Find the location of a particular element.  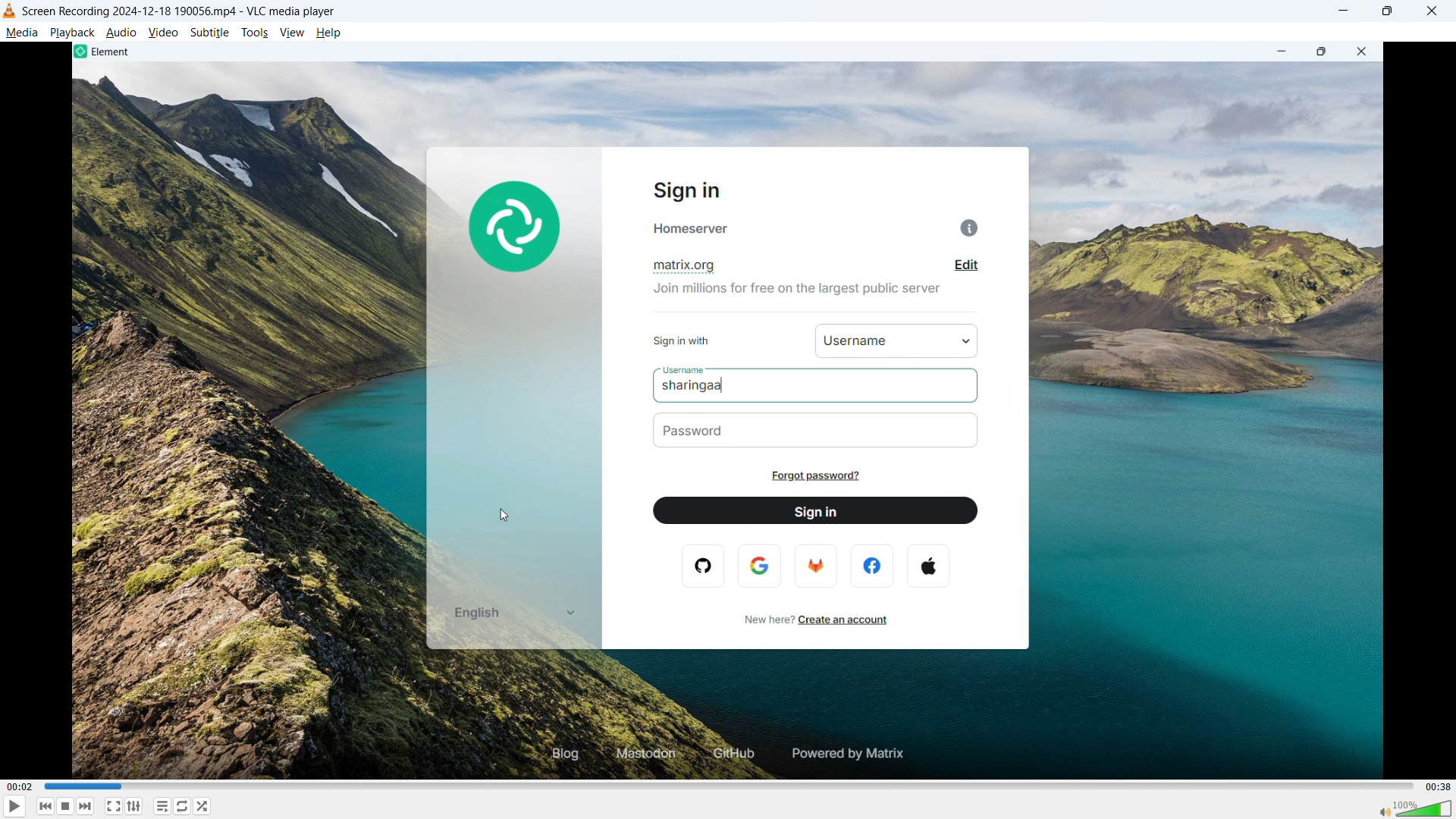

apple is located at coordinates (931, 564).